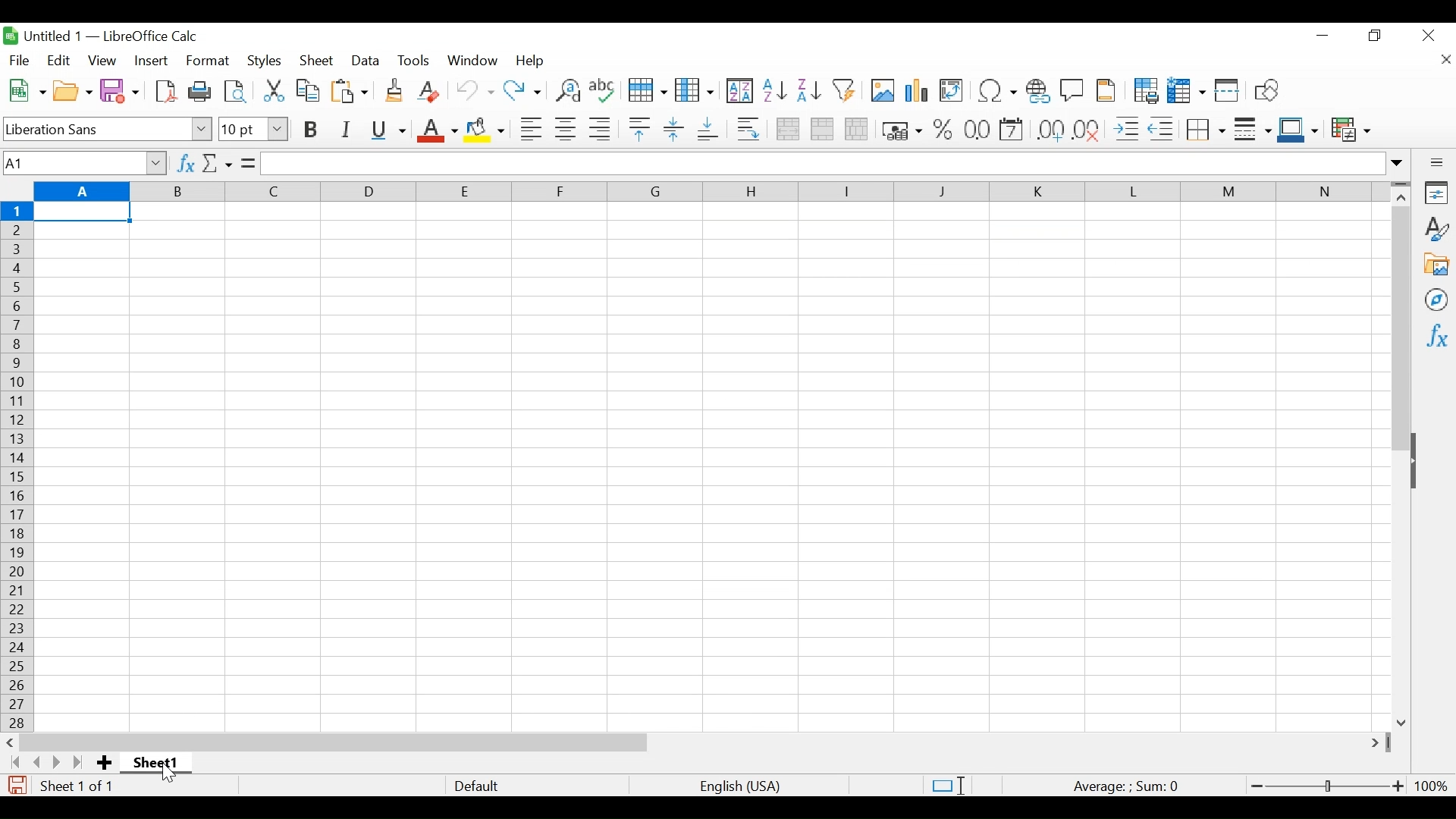 The width and height of the screenshot is (1456, 819). What do you see at coordinates (1446, 60) in the screenshot?
I see `Close document` at bounding box center [1446, 60].